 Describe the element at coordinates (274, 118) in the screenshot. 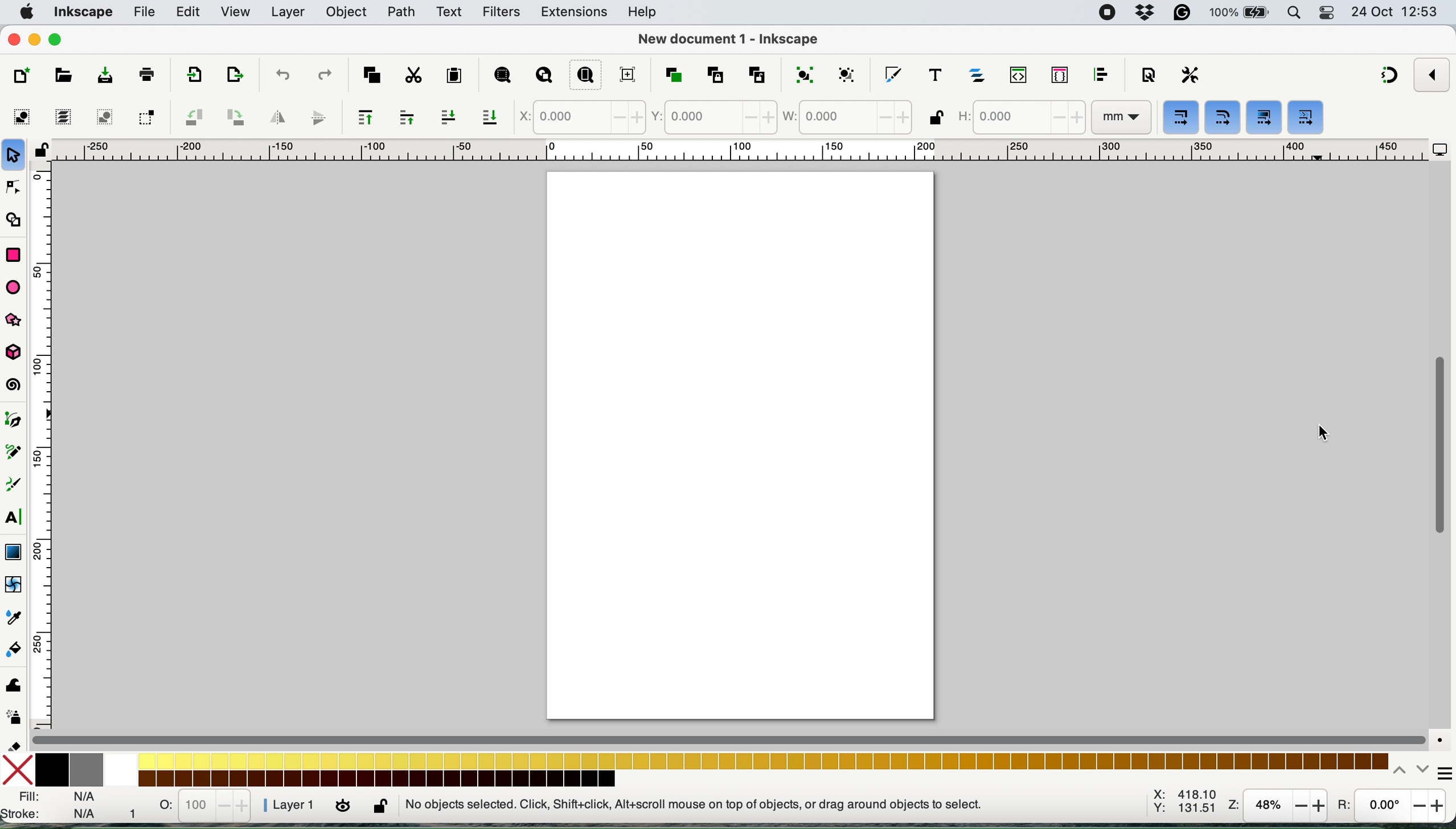

I see `flip horizontally` at that location.